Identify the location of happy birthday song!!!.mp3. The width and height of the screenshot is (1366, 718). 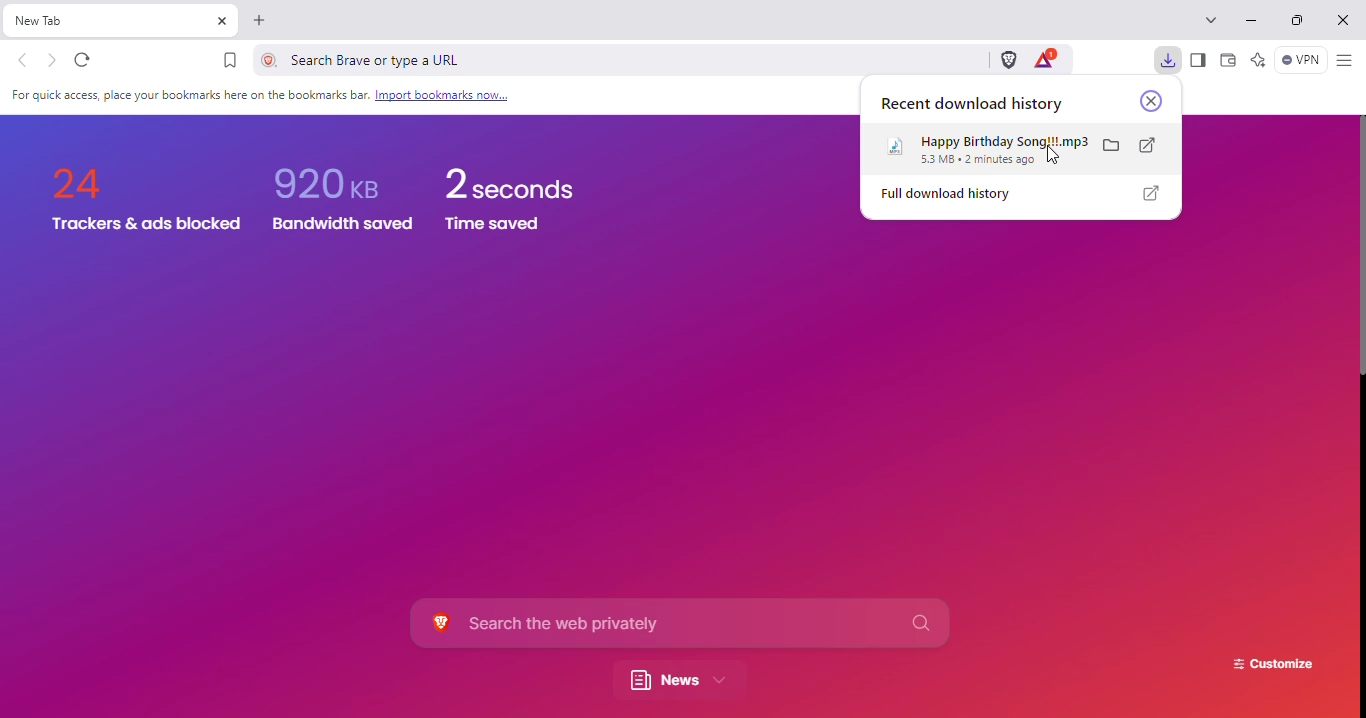
(1004, 141).